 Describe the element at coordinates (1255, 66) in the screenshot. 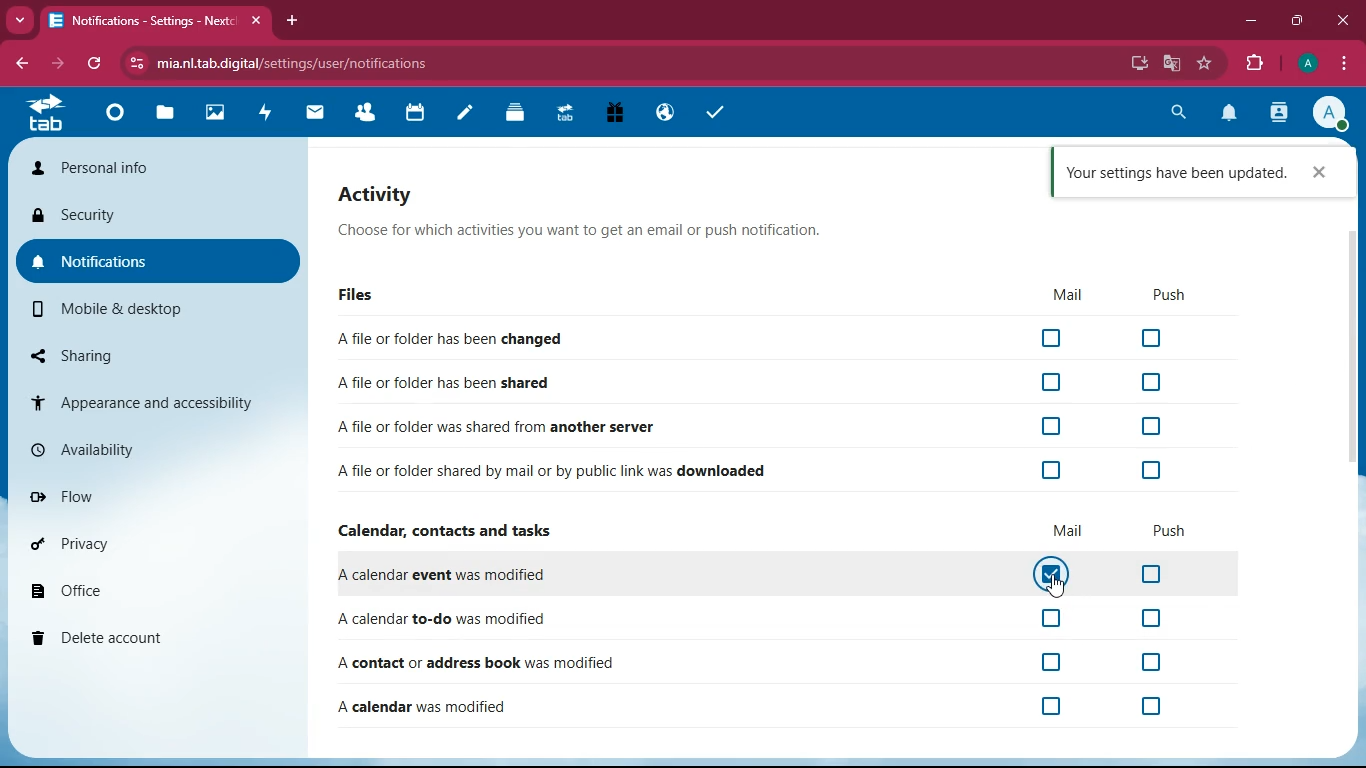

I see `extensions` at that location.